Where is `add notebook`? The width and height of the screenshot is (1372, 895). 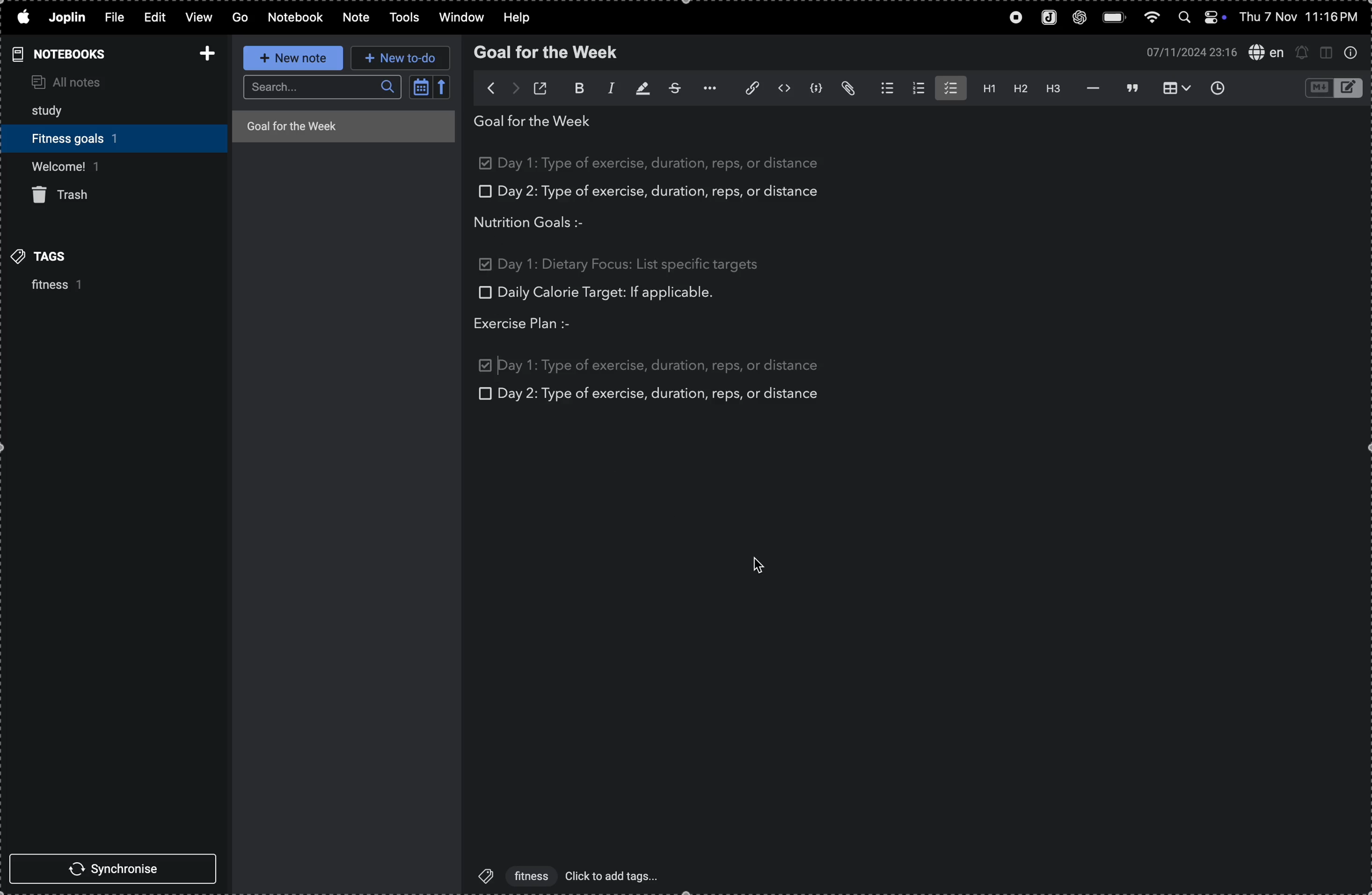 add notebook is located at coordinates (203, 52).